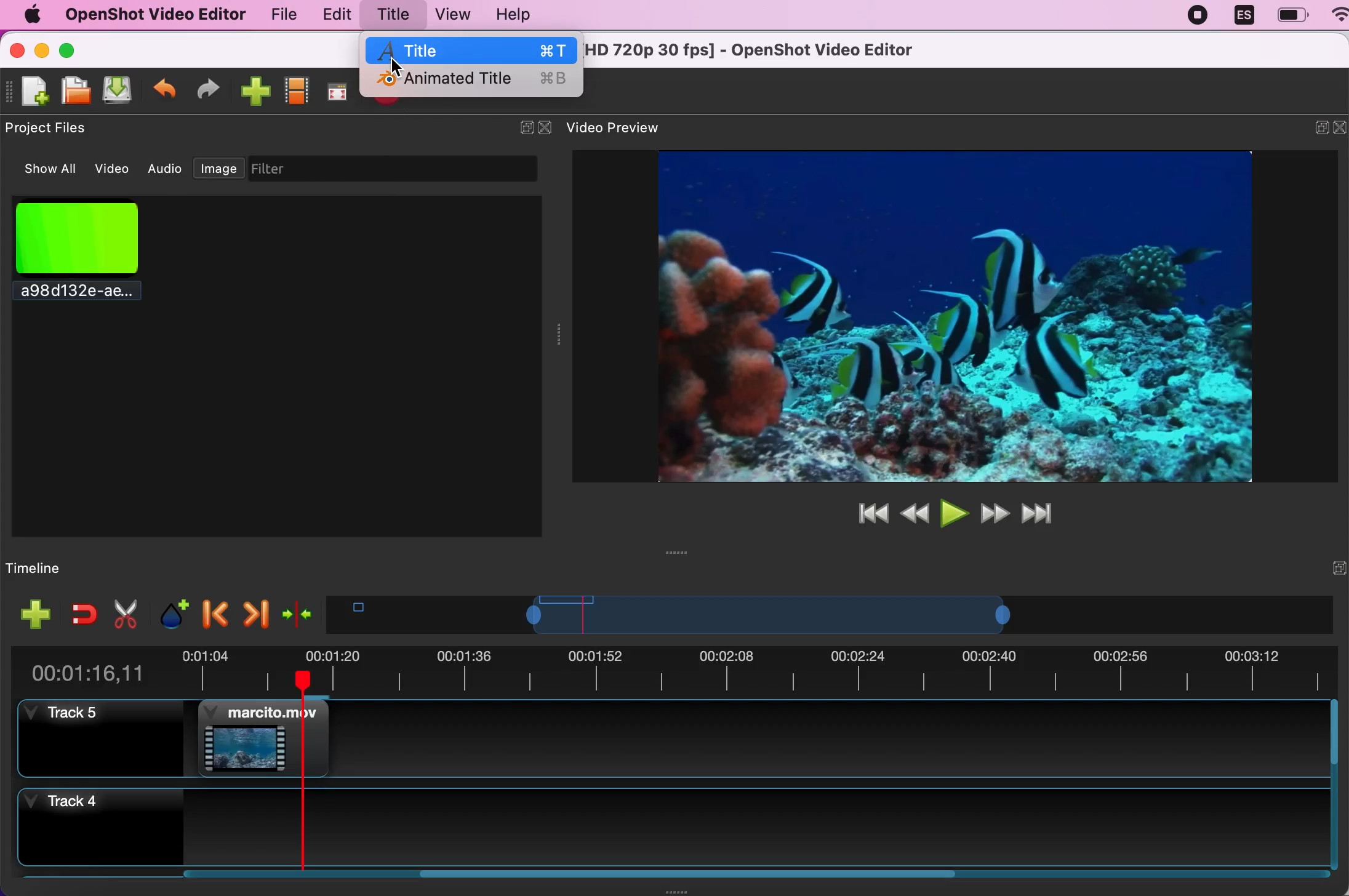 The height and width of the screenshot is (896, 1349). I want to click on previous marker, so click(212, 612).